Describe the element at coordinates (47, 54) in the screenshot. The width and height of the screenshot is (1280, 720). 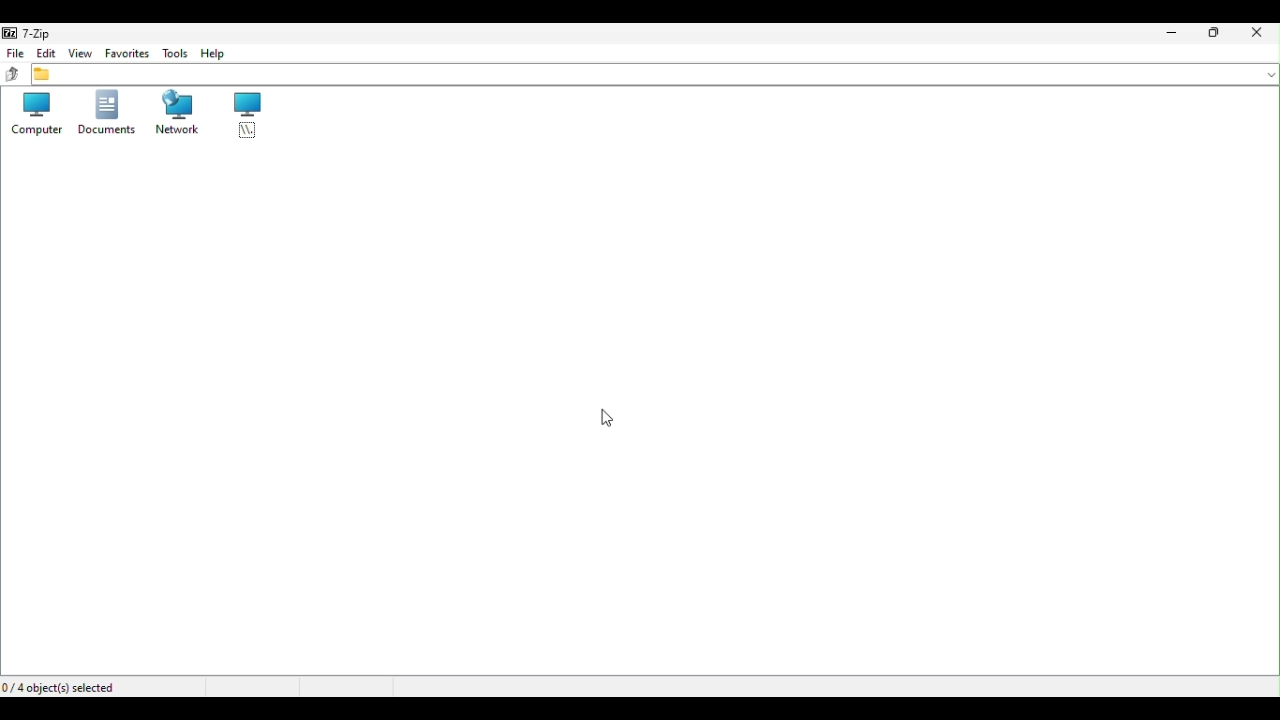
I see `Edit` at that location.